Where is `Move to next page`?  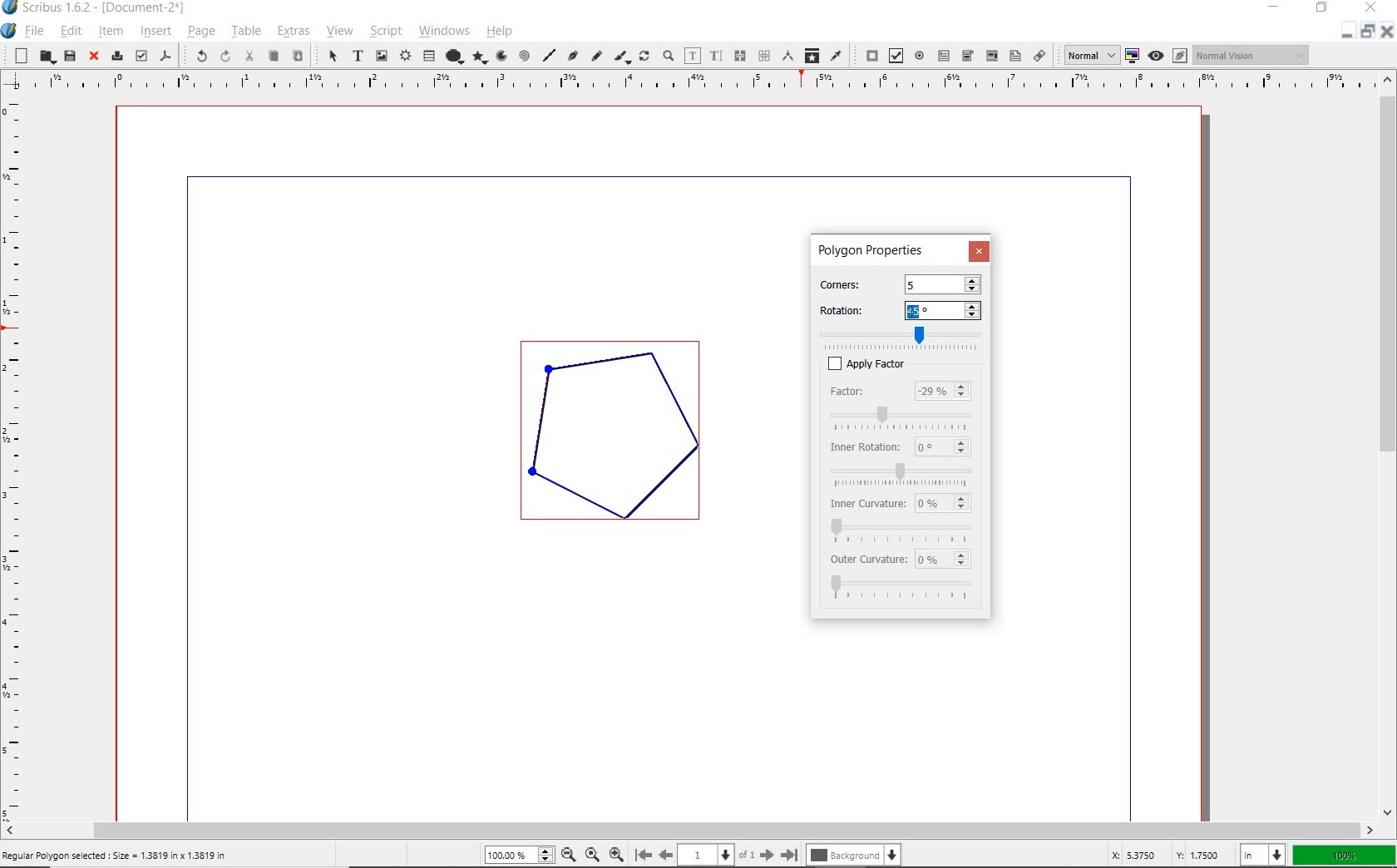
Move to next page is located at coordinates (760, 855).